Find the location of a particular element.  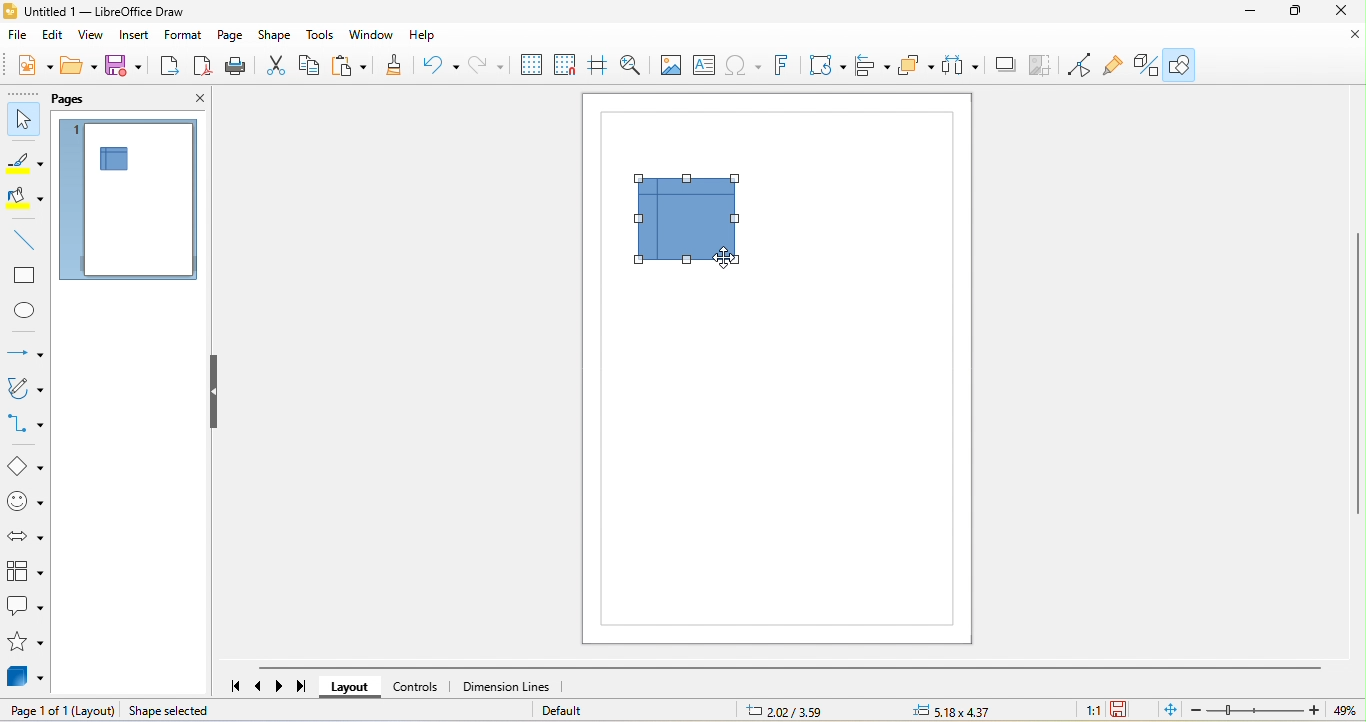

3d object is located at coordinates (28, 679).